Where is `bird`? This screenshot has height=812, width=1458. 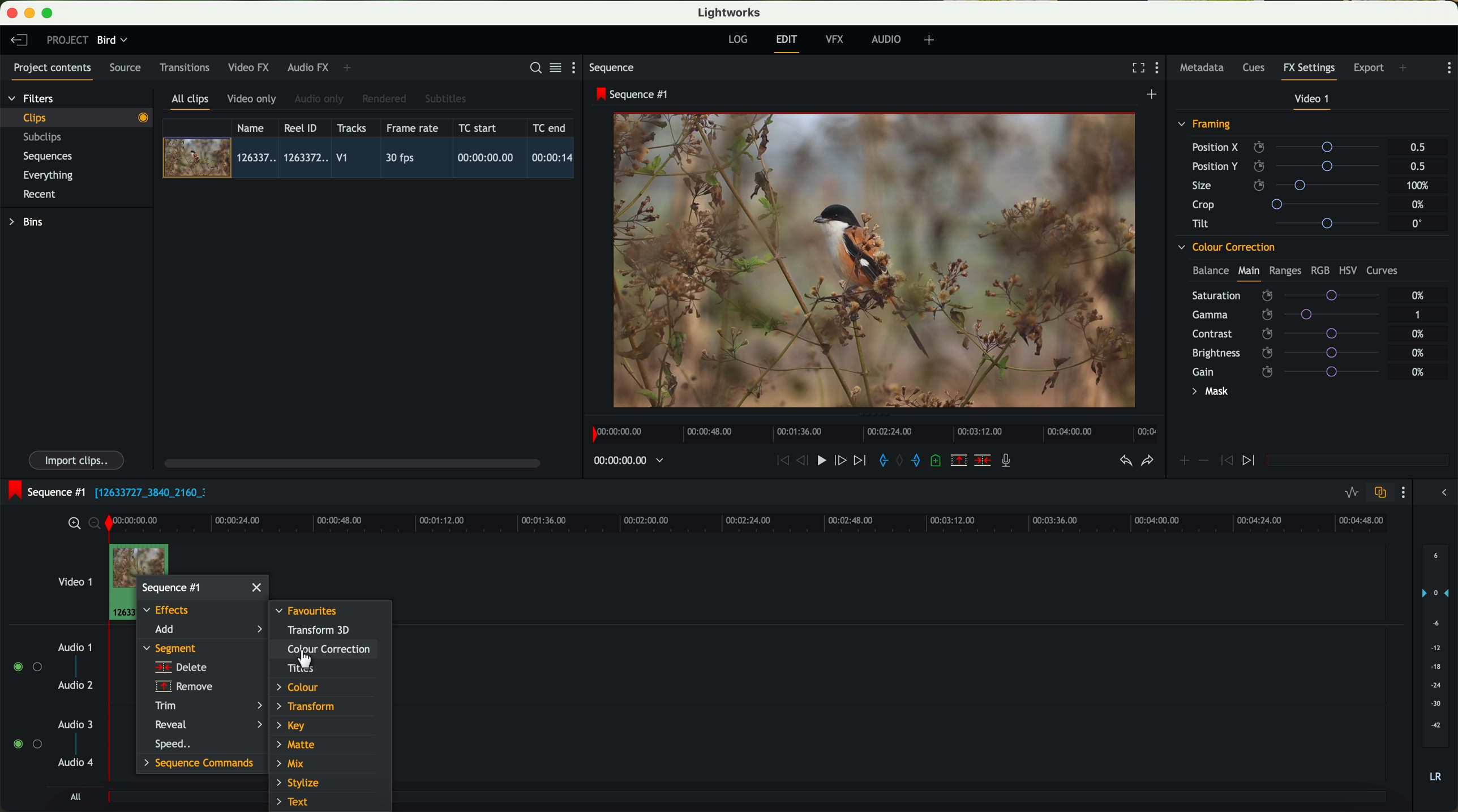
bird is located at coordinates (112, 41).